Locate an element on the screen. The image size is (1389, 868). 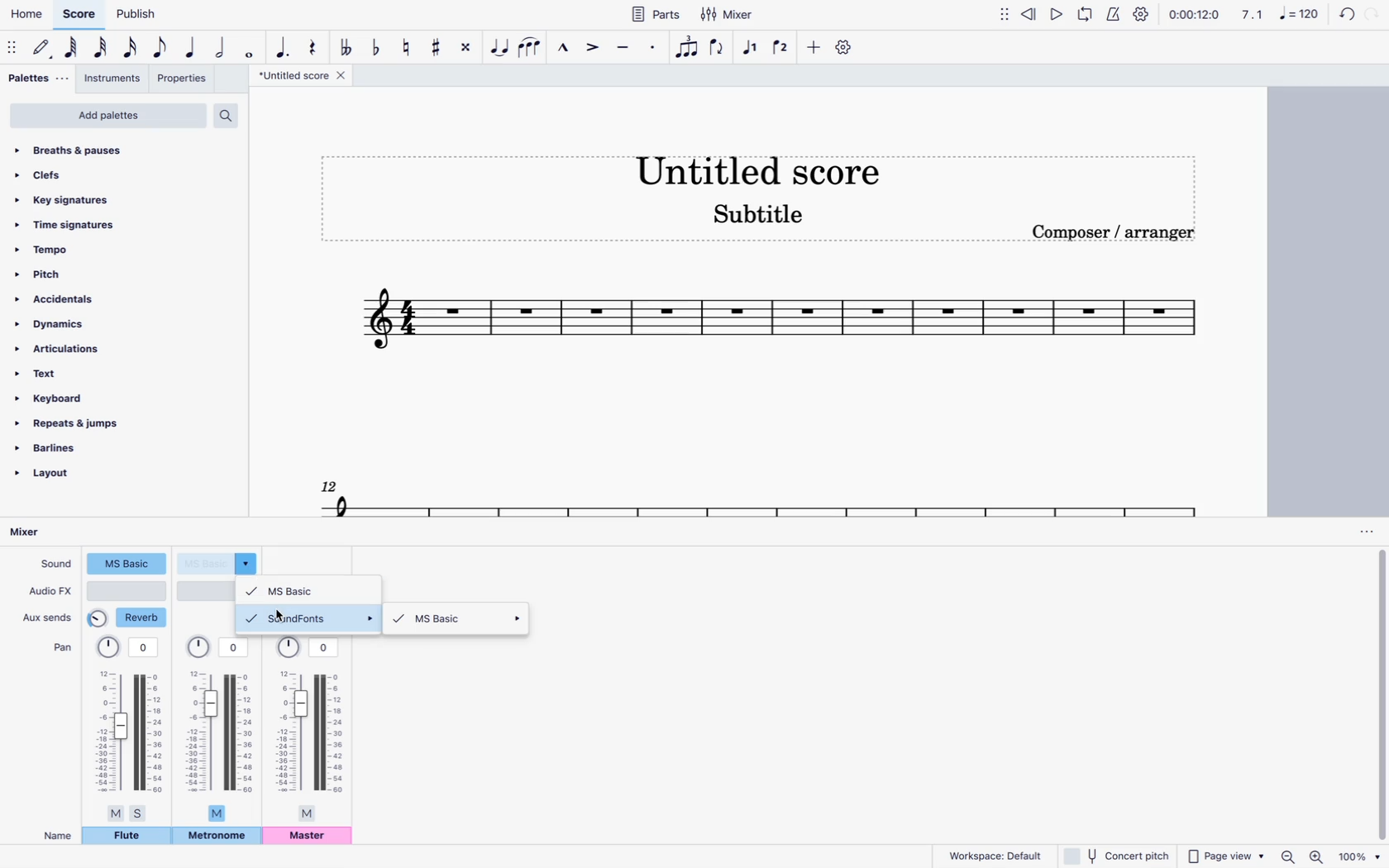
half note is located at coordinates (223, 48).